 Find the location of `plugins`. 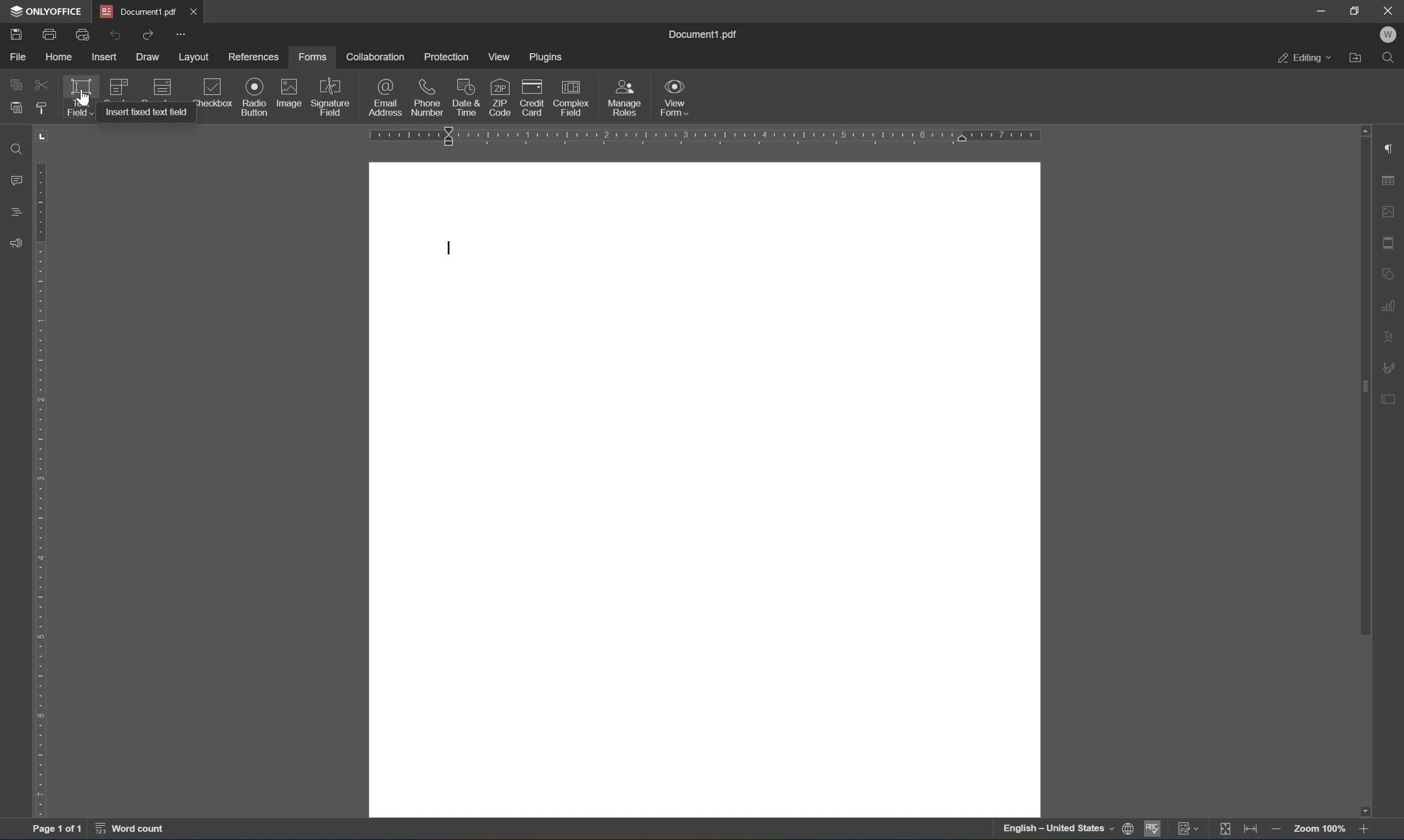

plugins is located at coordinates (546, 57).